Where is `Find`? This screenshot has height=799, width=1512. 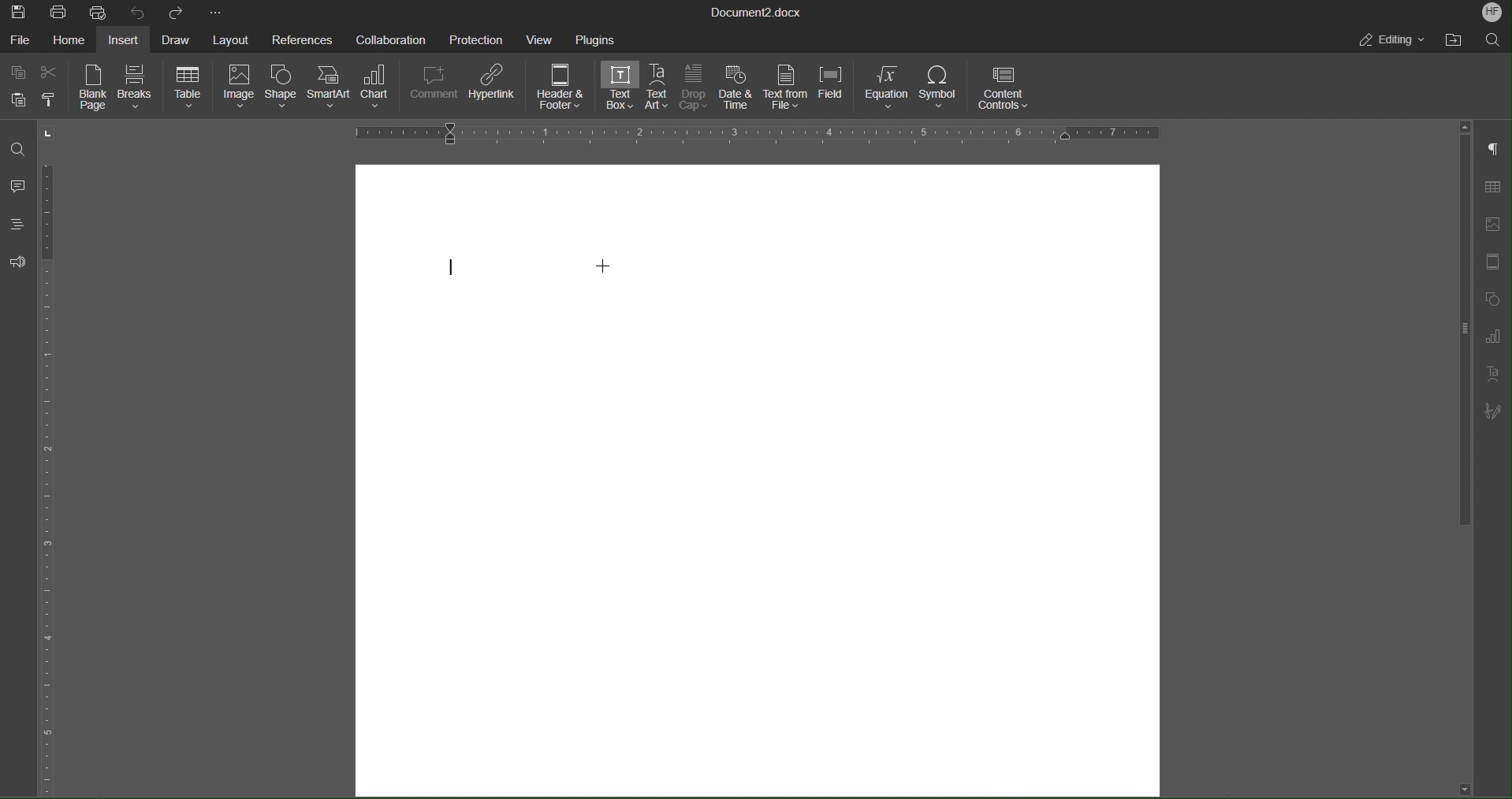 Find is located at coordinates (20, 150).